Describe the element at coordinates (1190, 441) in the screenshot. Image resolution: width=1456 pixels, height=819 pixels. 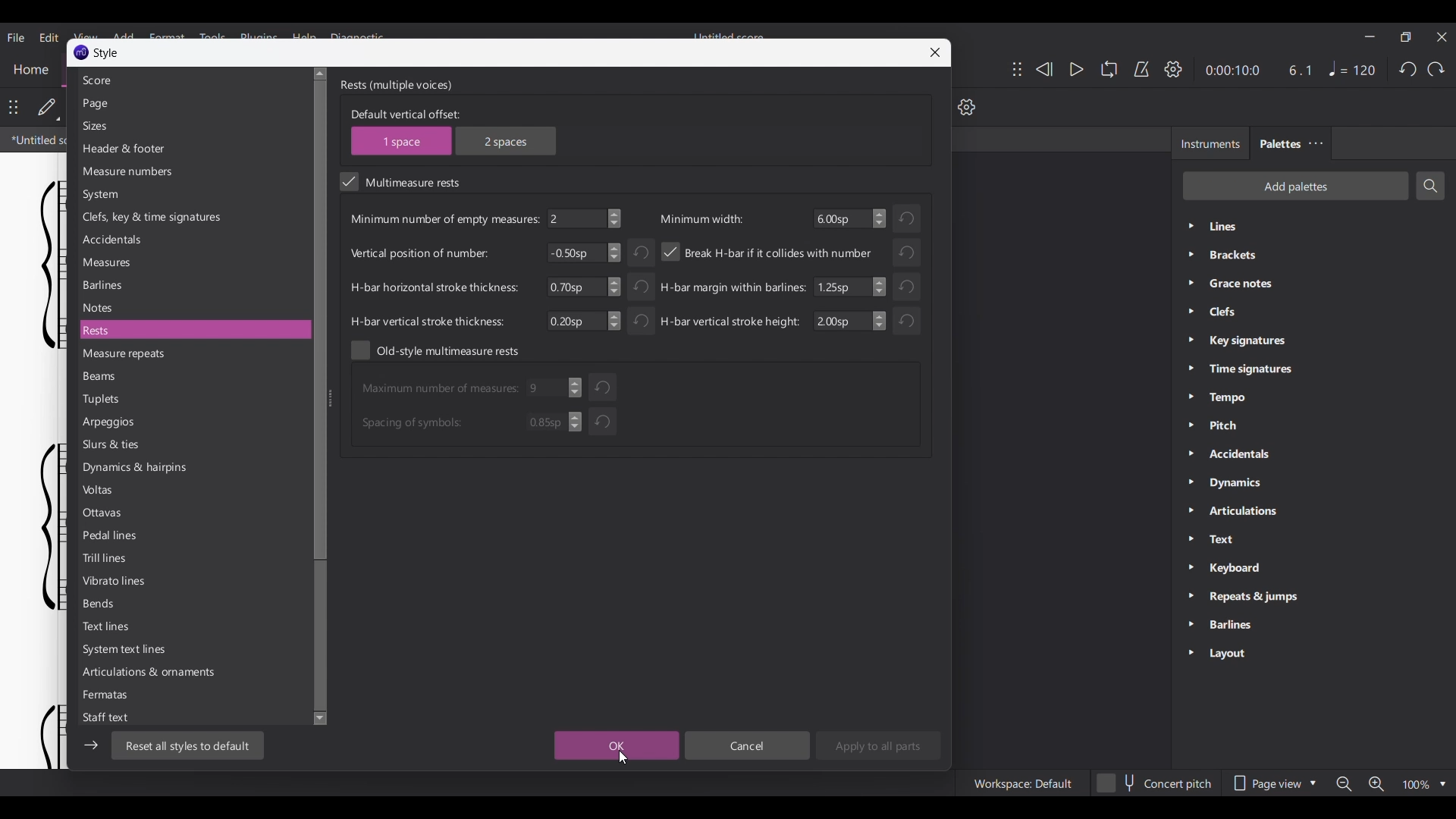
I see `Expand respective palette` at that location.